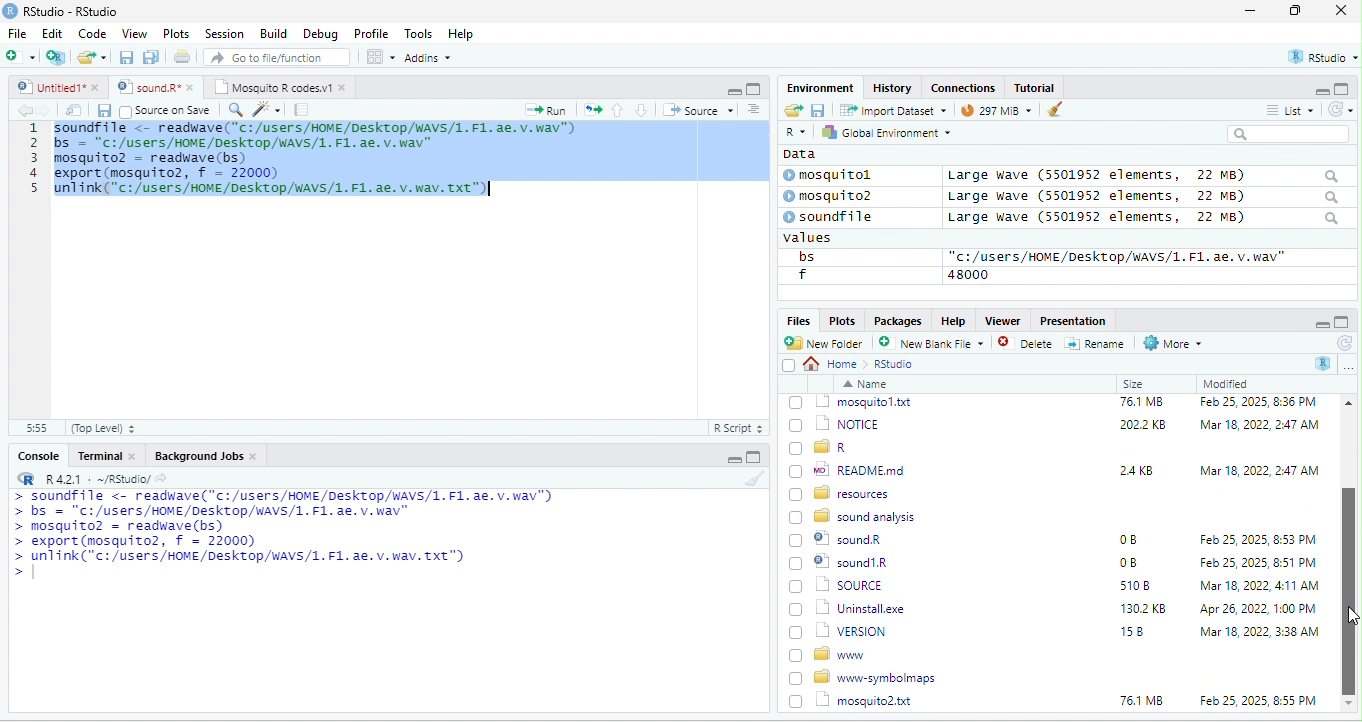 The image size is (1362, 722). What do you see at coordinates (153, 58) in the screenshot?
I see `save as` at bounding box center [153, 58].